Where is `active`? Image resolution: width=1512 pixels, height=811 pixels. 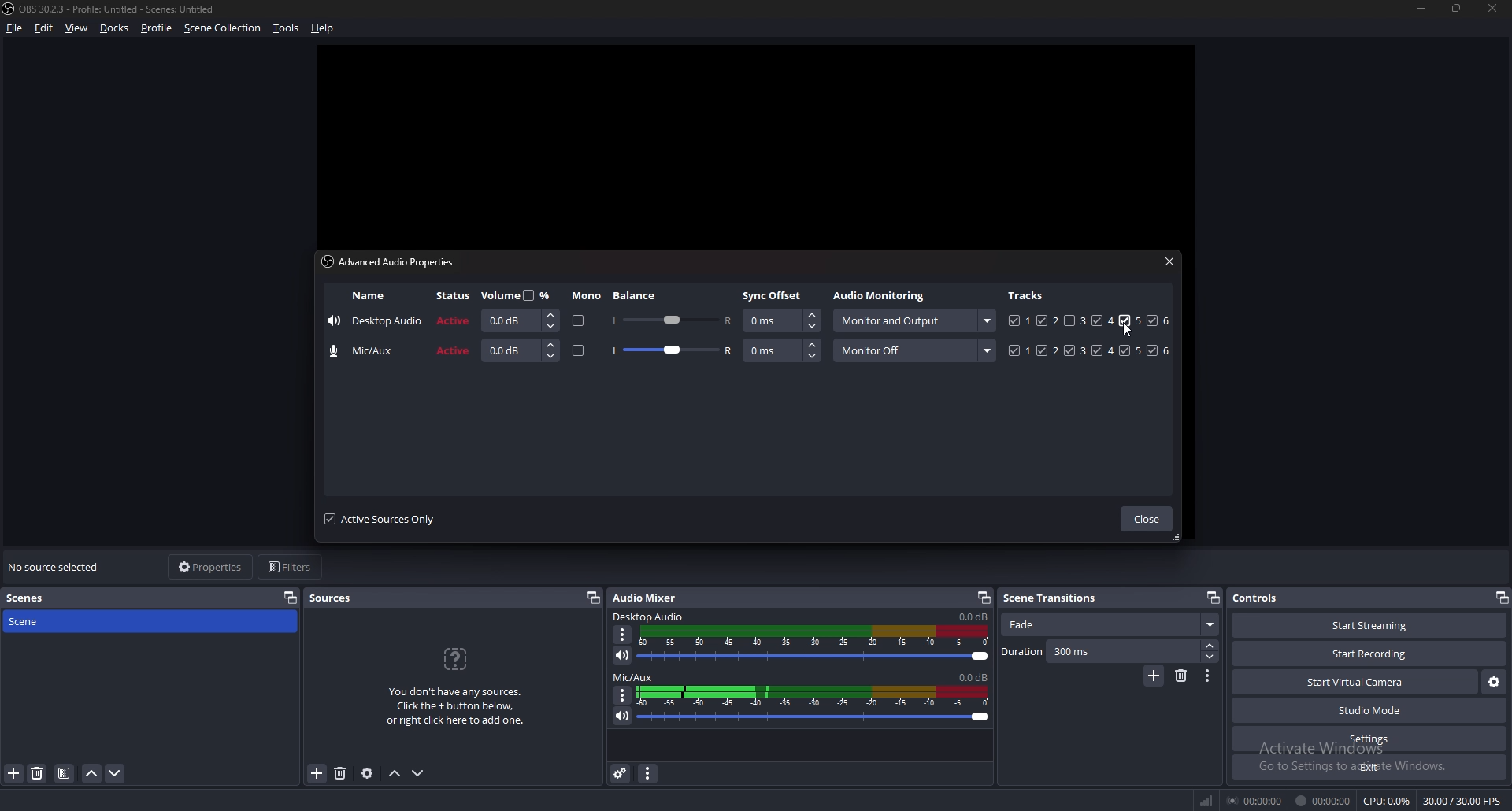
active is located at coordinates (454, 352).